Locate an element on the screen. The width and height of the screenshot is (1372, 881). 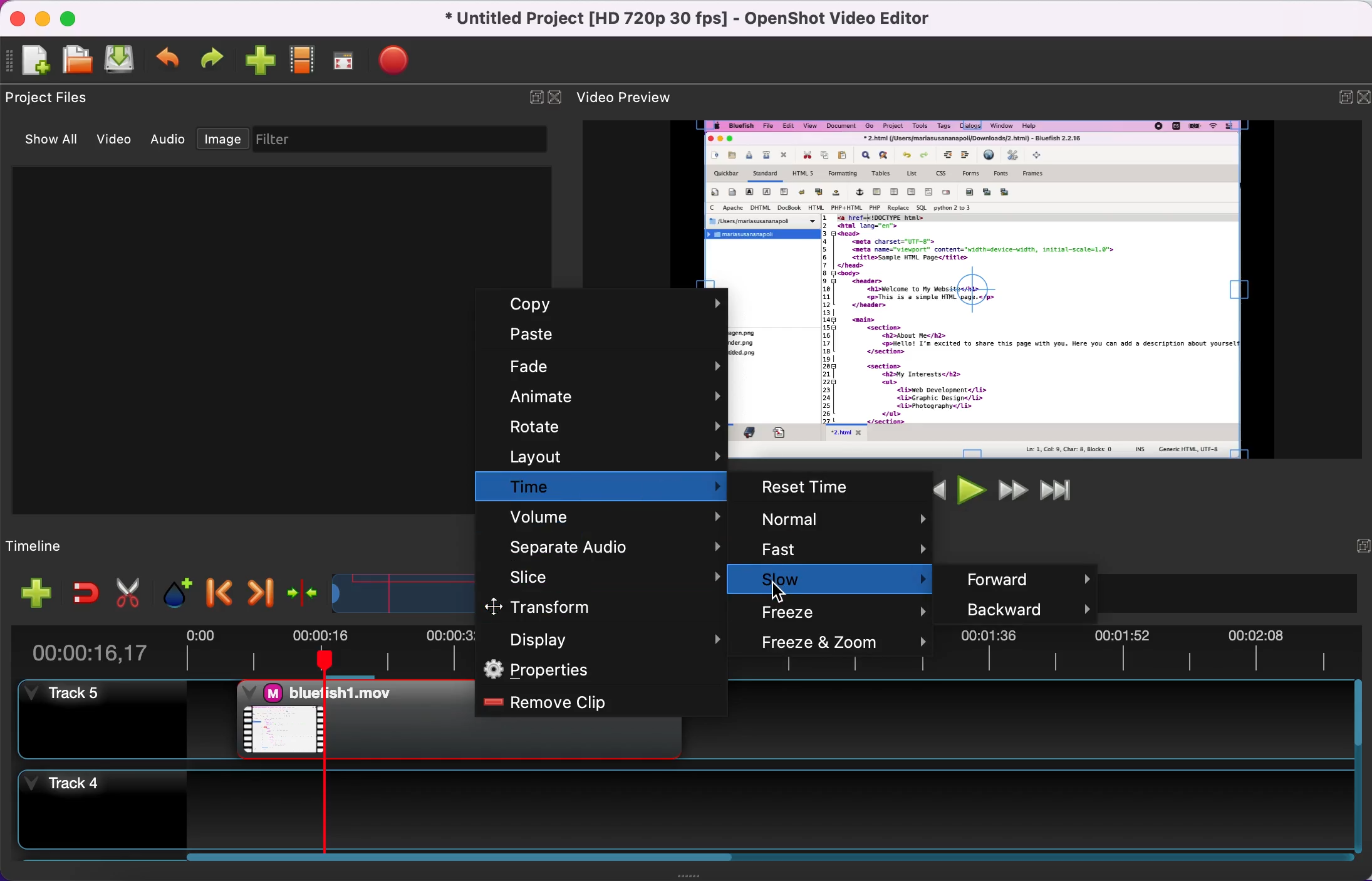
undo is located at coordinates (170, 59).